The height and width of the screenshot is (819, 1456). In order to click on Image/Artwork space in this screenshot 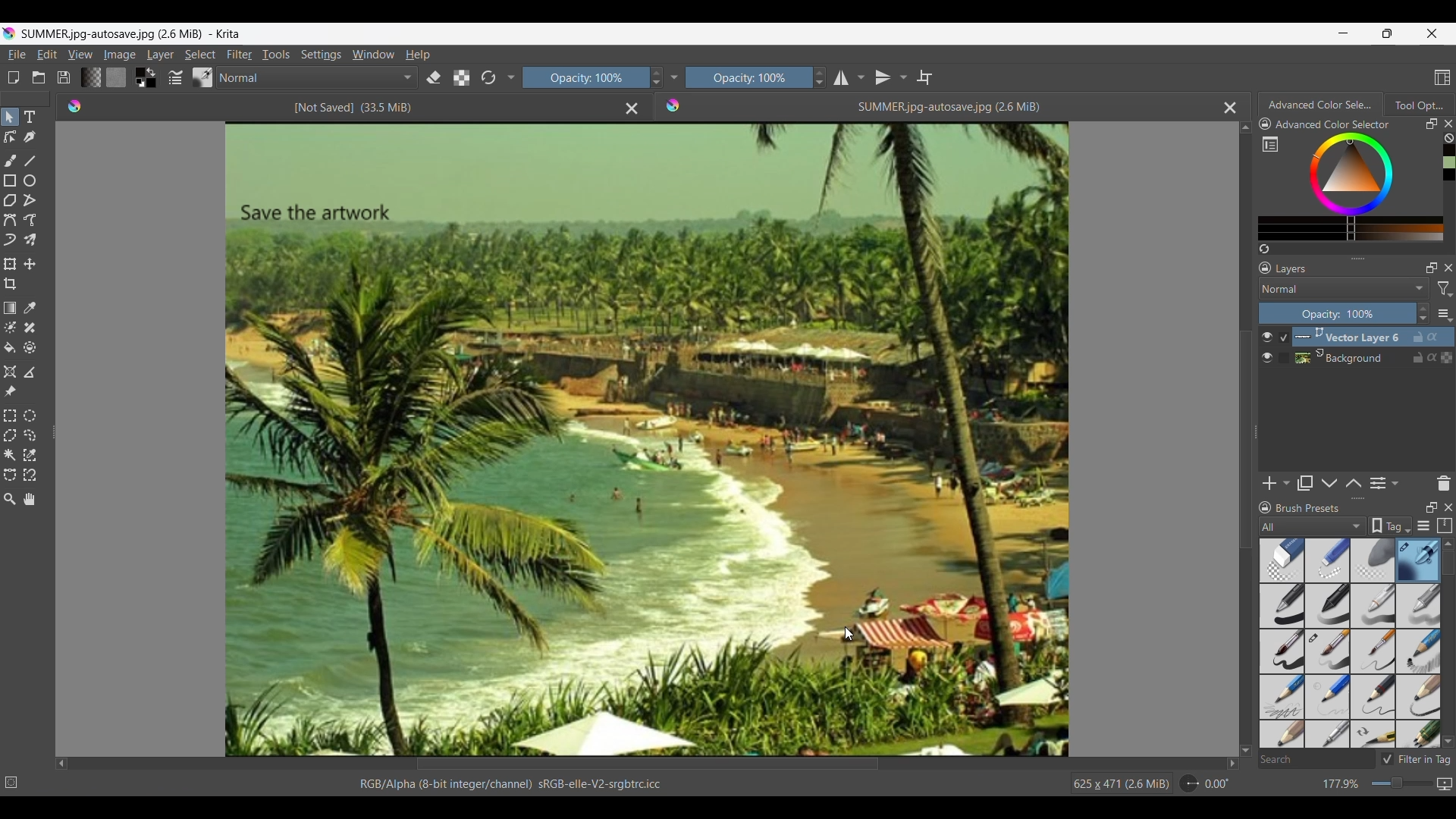, I will do `click(642, 437)`.